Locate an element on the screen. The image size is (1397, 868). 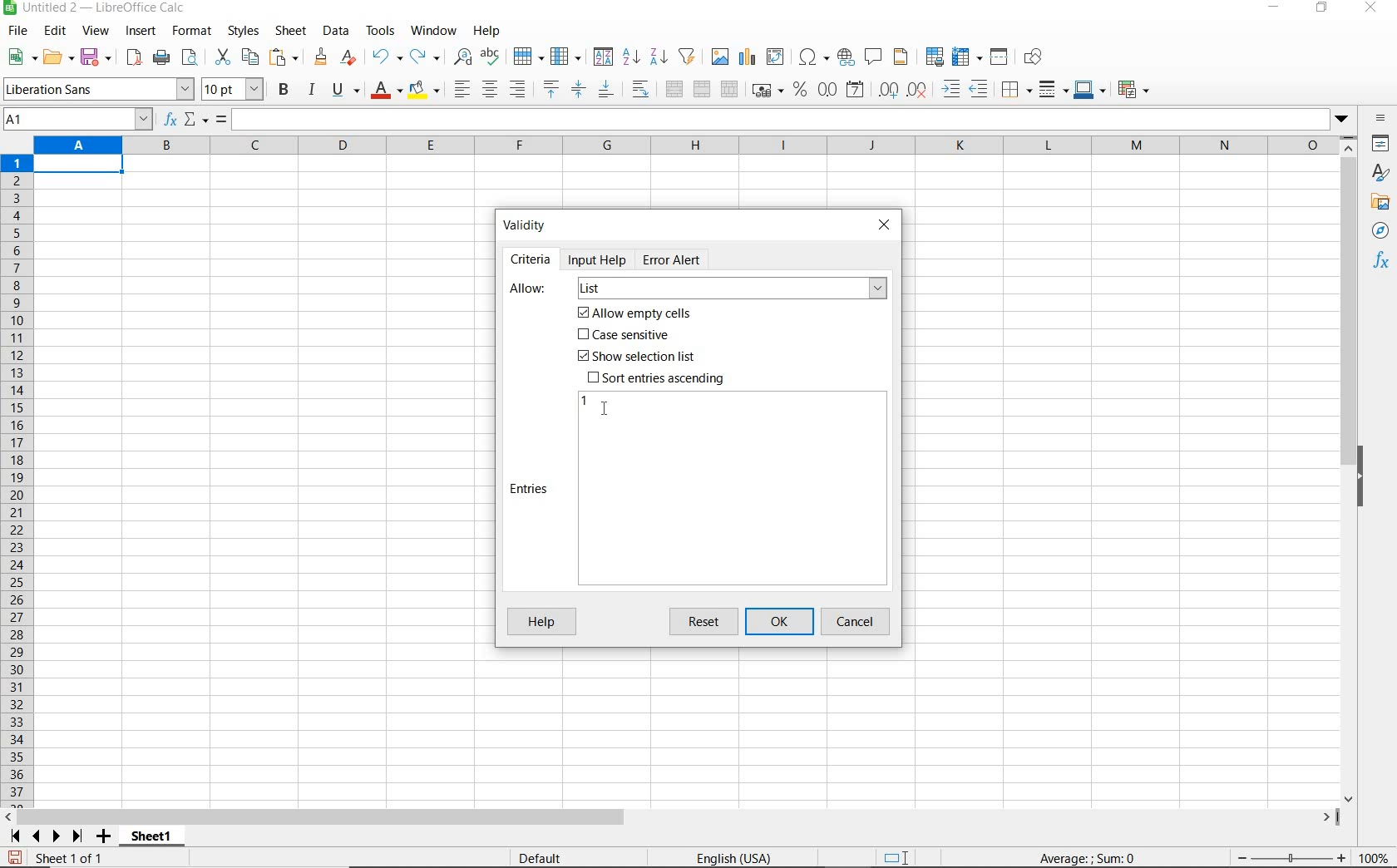
autofilter is located at coordinates (686, 57).